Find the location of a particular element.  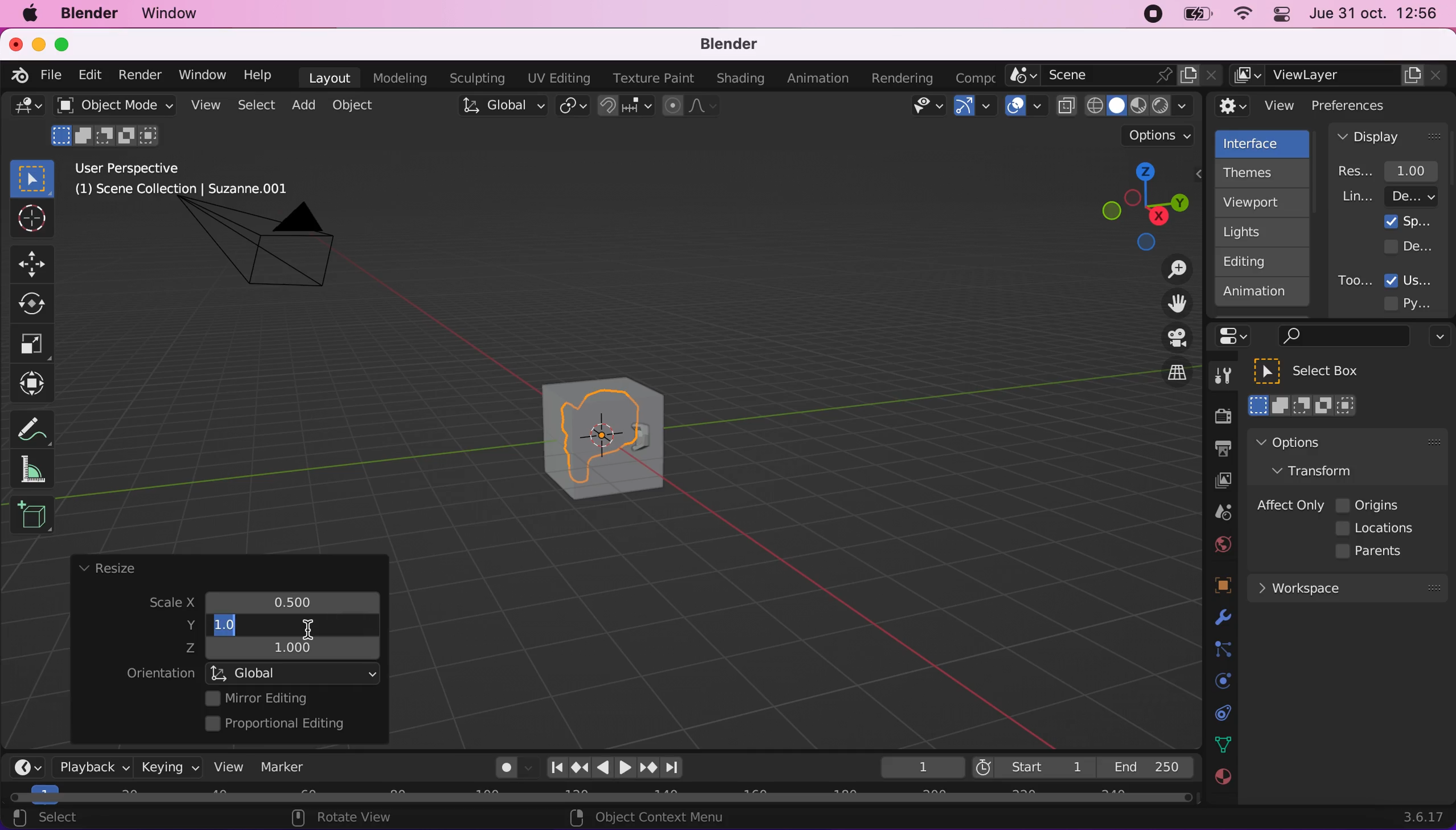

select box is located at coordinates (1321, 371).